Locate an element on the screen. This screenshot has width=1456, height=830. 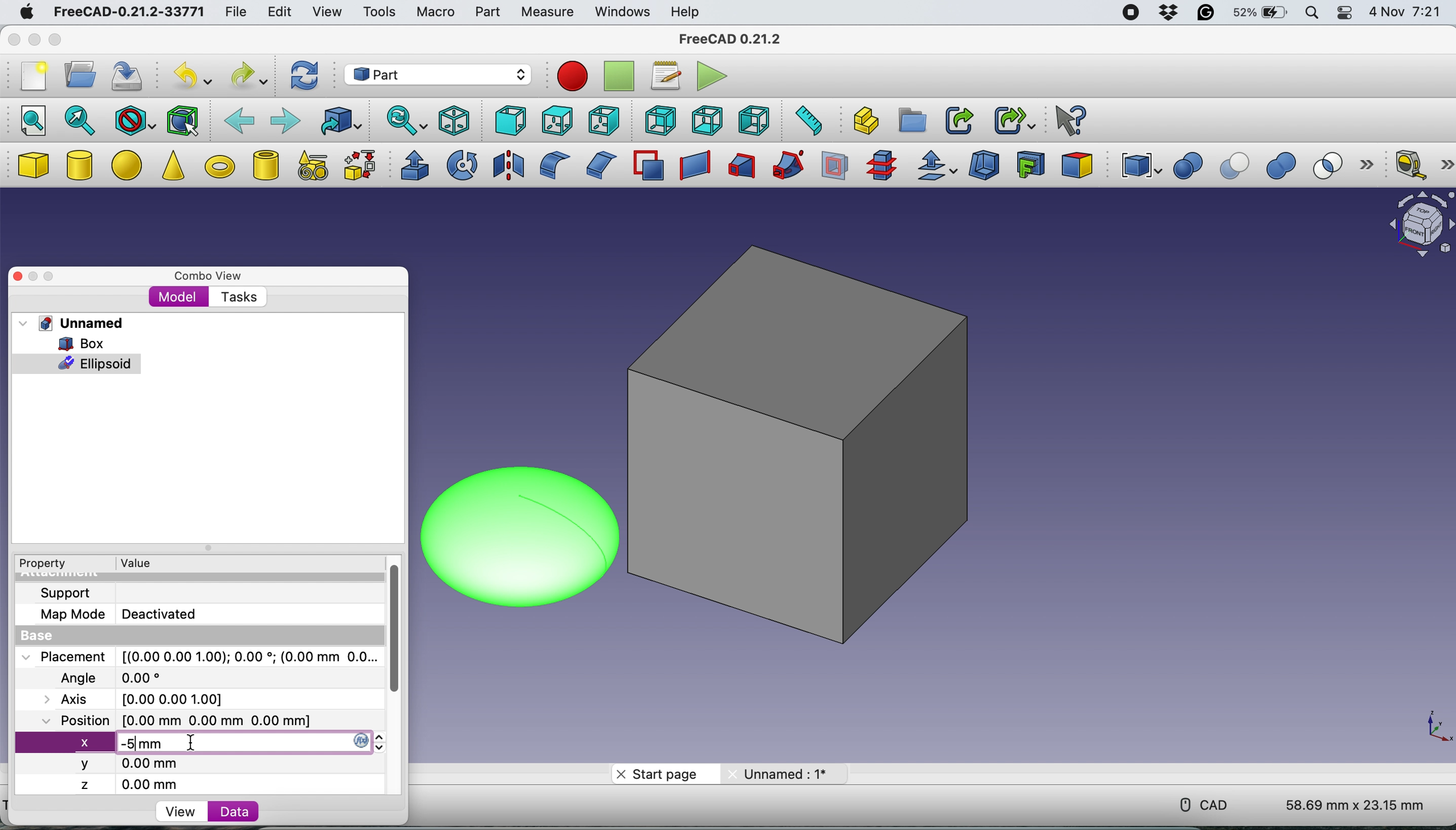
minimise is located at coordinates (35, 276).